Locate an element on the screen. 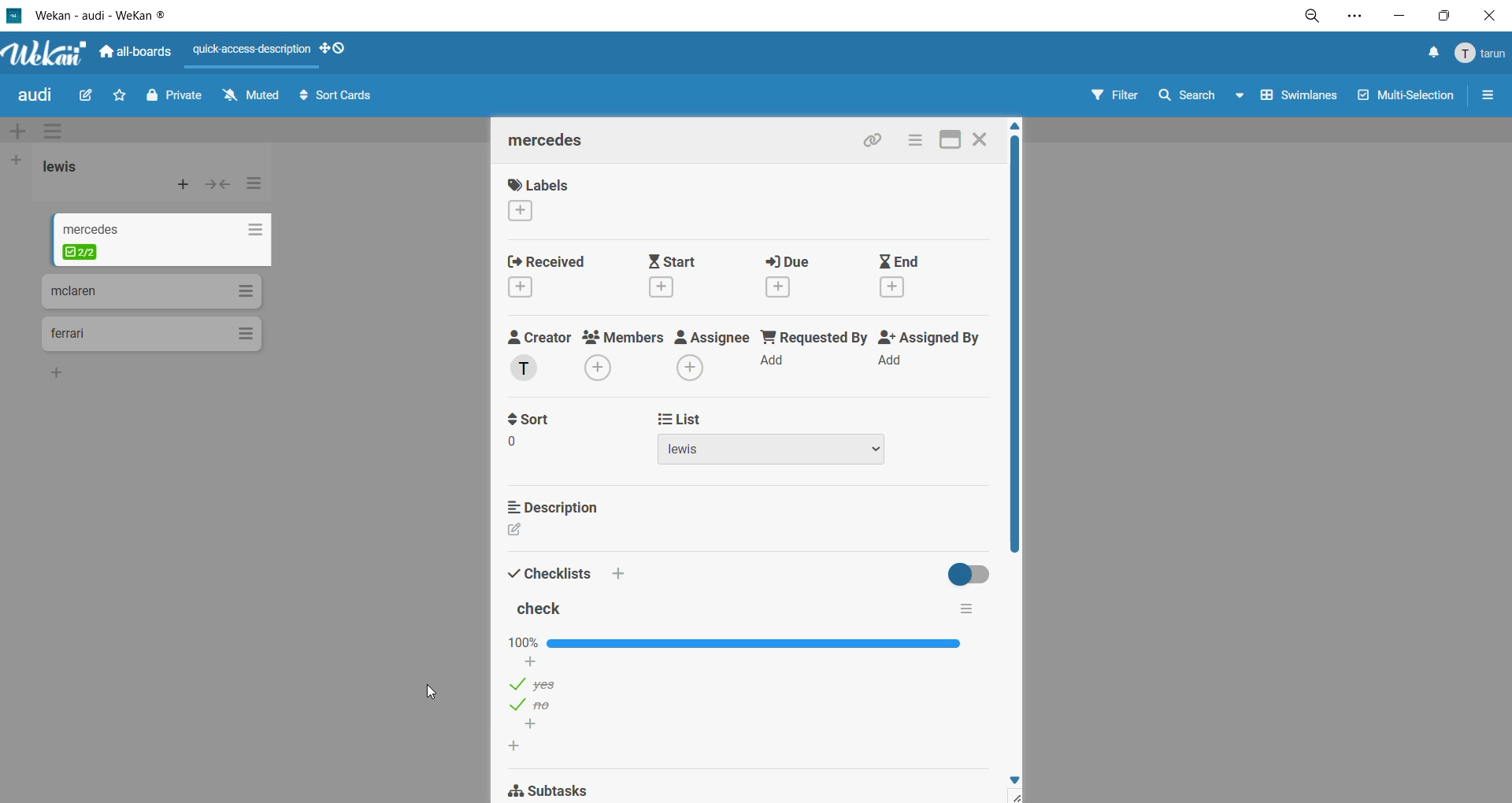  start is located at coordinates (684, 276).